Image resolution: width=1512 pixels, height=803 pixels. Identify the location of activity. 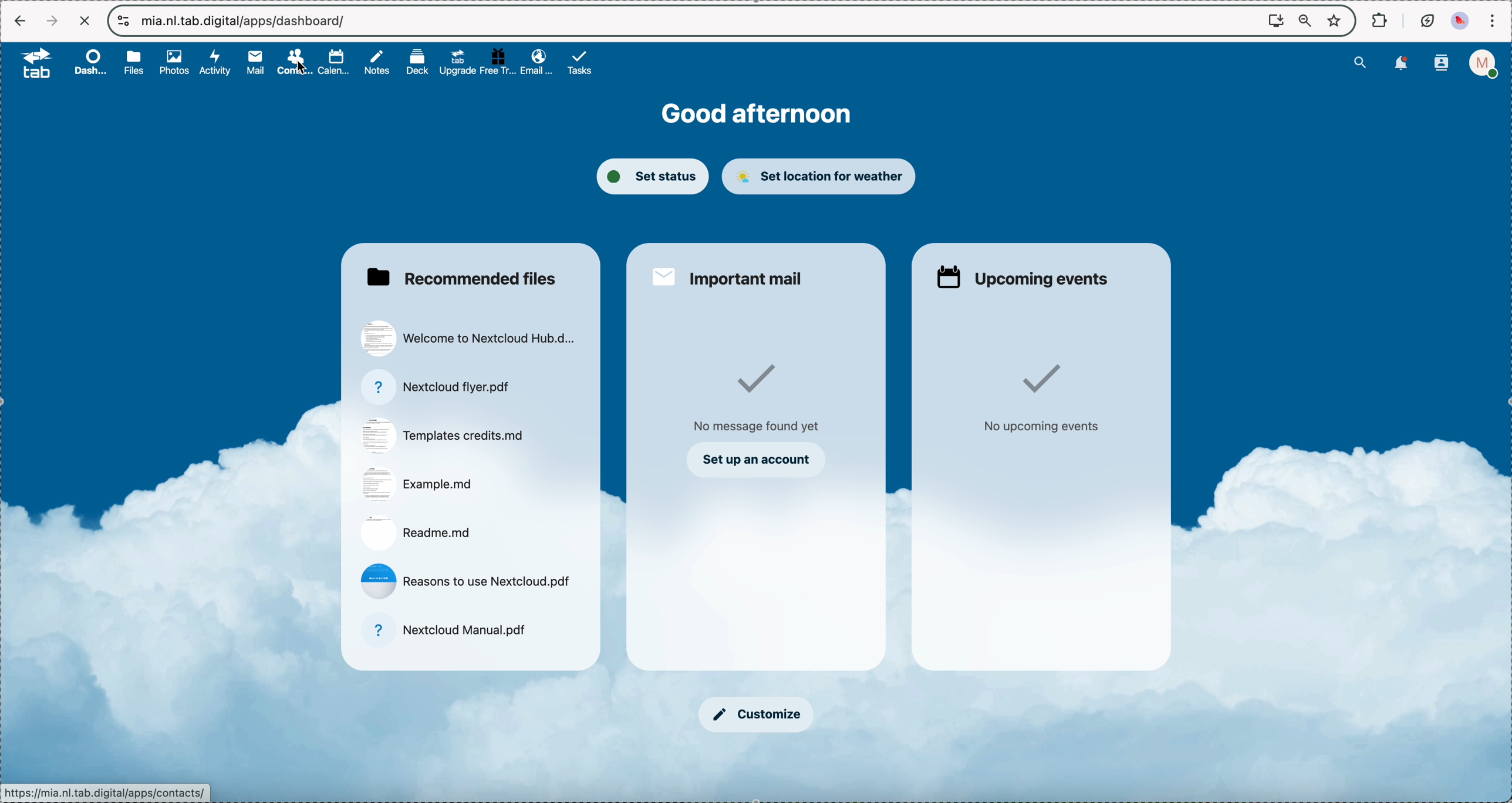
(218, 63).